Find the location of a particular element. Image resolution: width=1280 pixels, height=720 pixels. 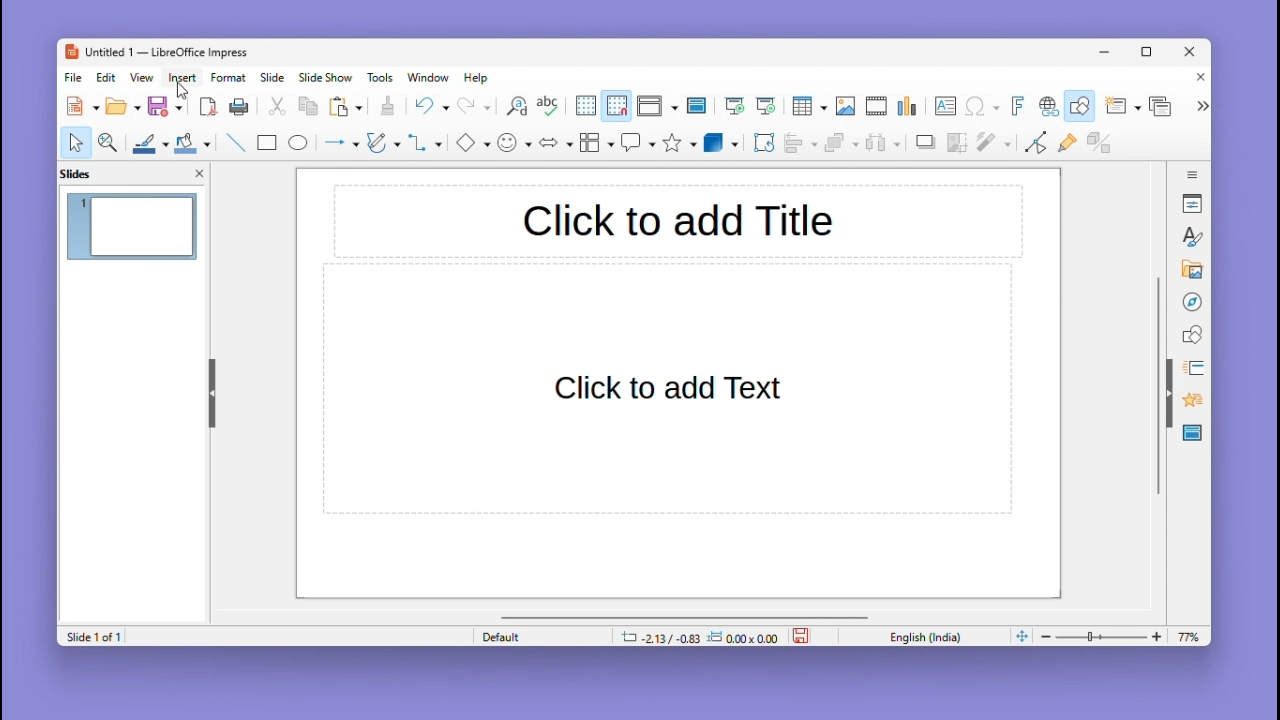

Distribute is located at coordinates (886, 145).